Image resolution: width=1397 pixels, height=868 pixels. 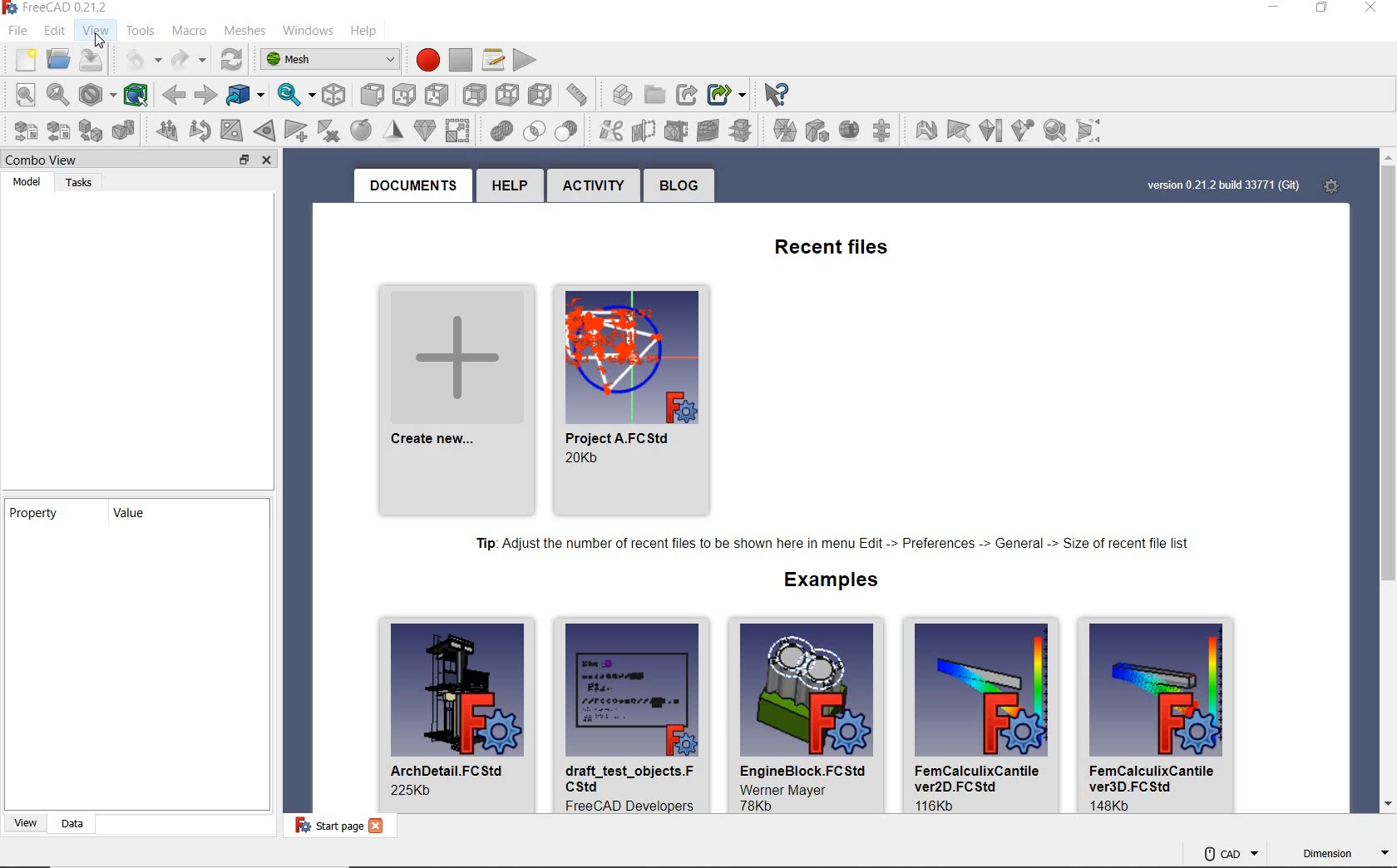 I want to click on right, so click(x=403, y=91).